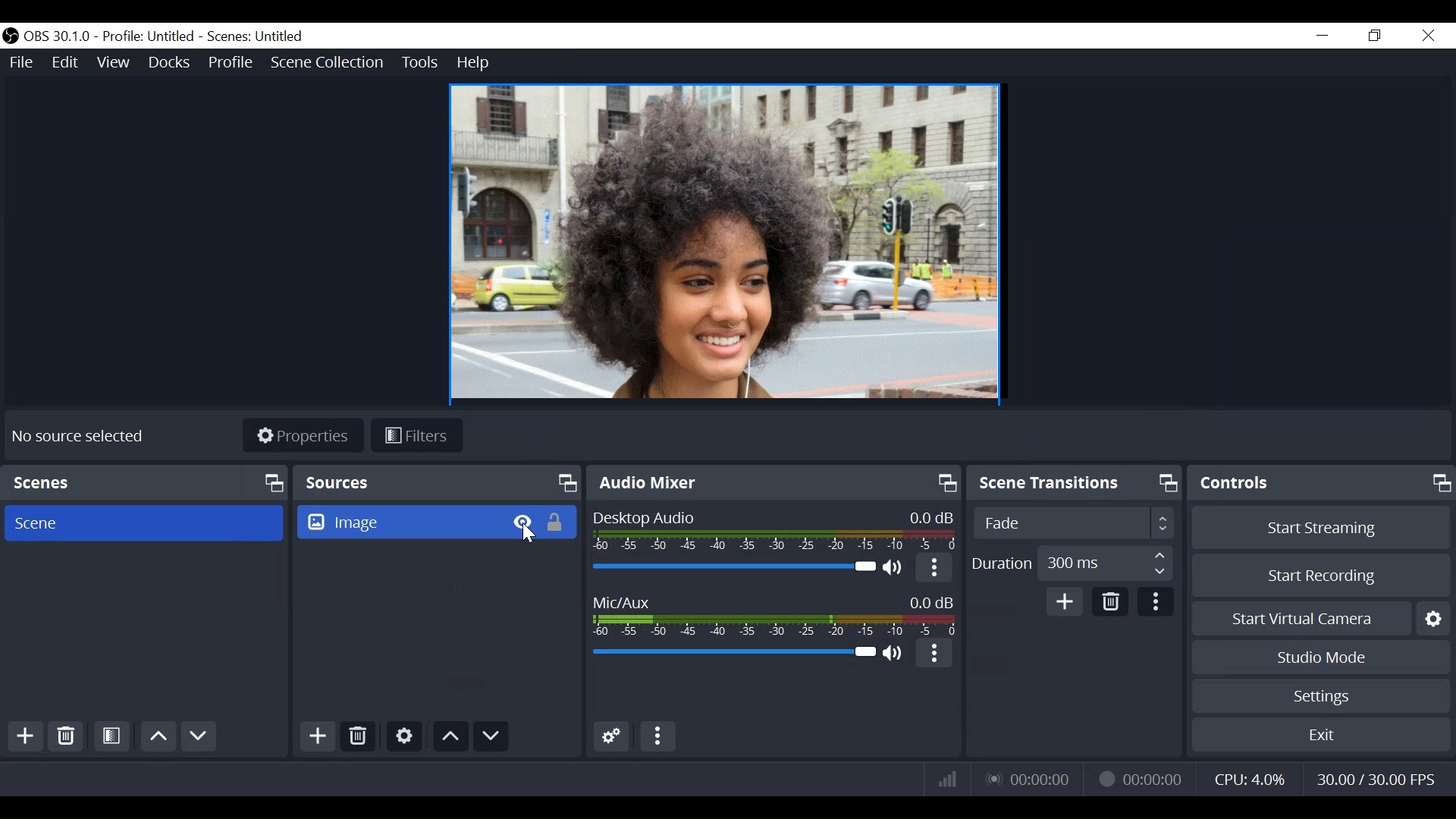  What do you see at coordinates (148, 523) in the screenshot?
I see `Scene` at bounding box center [148, 523].